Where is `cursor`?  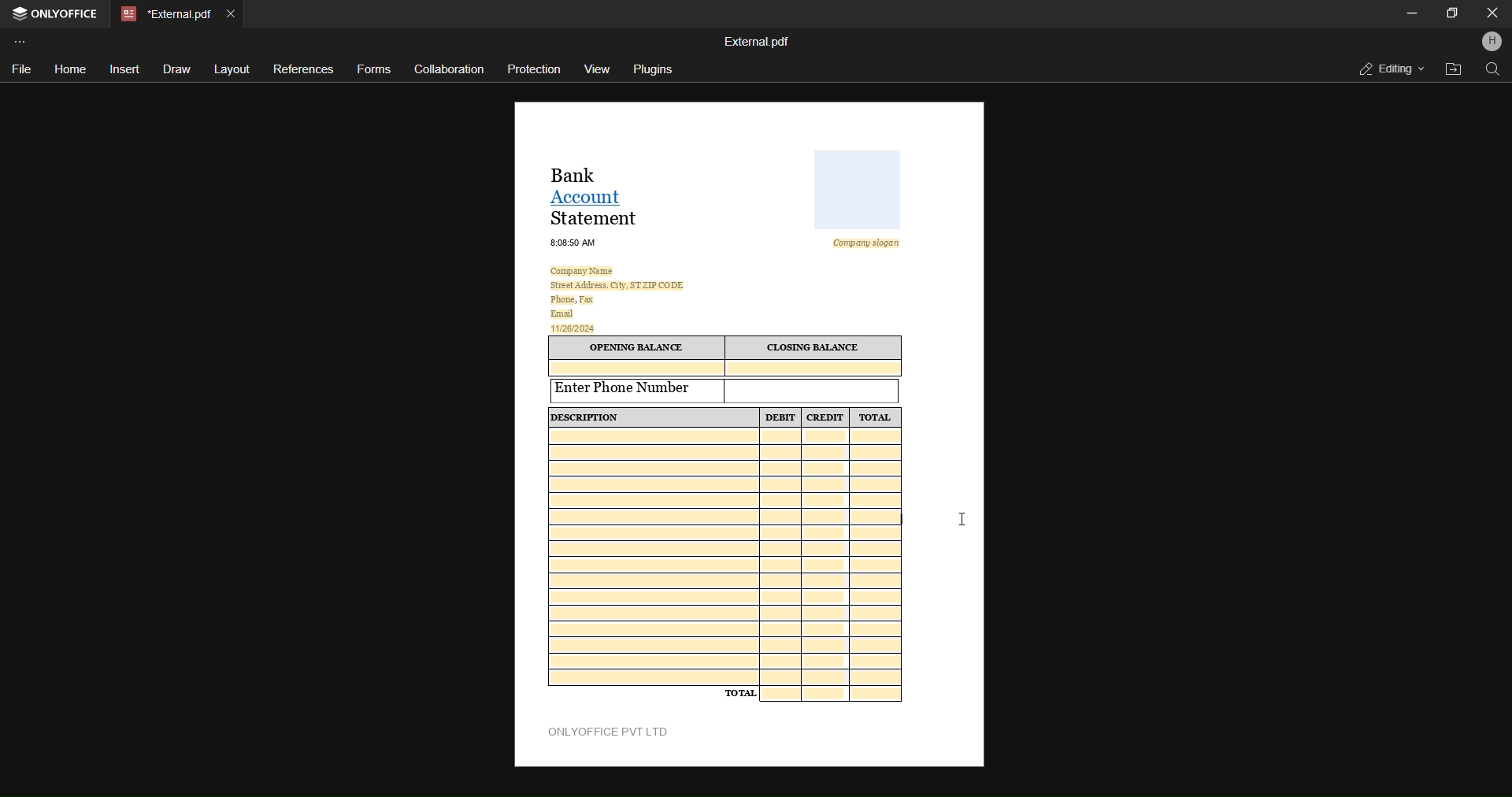 cursor is located at coordinates (959, 519).